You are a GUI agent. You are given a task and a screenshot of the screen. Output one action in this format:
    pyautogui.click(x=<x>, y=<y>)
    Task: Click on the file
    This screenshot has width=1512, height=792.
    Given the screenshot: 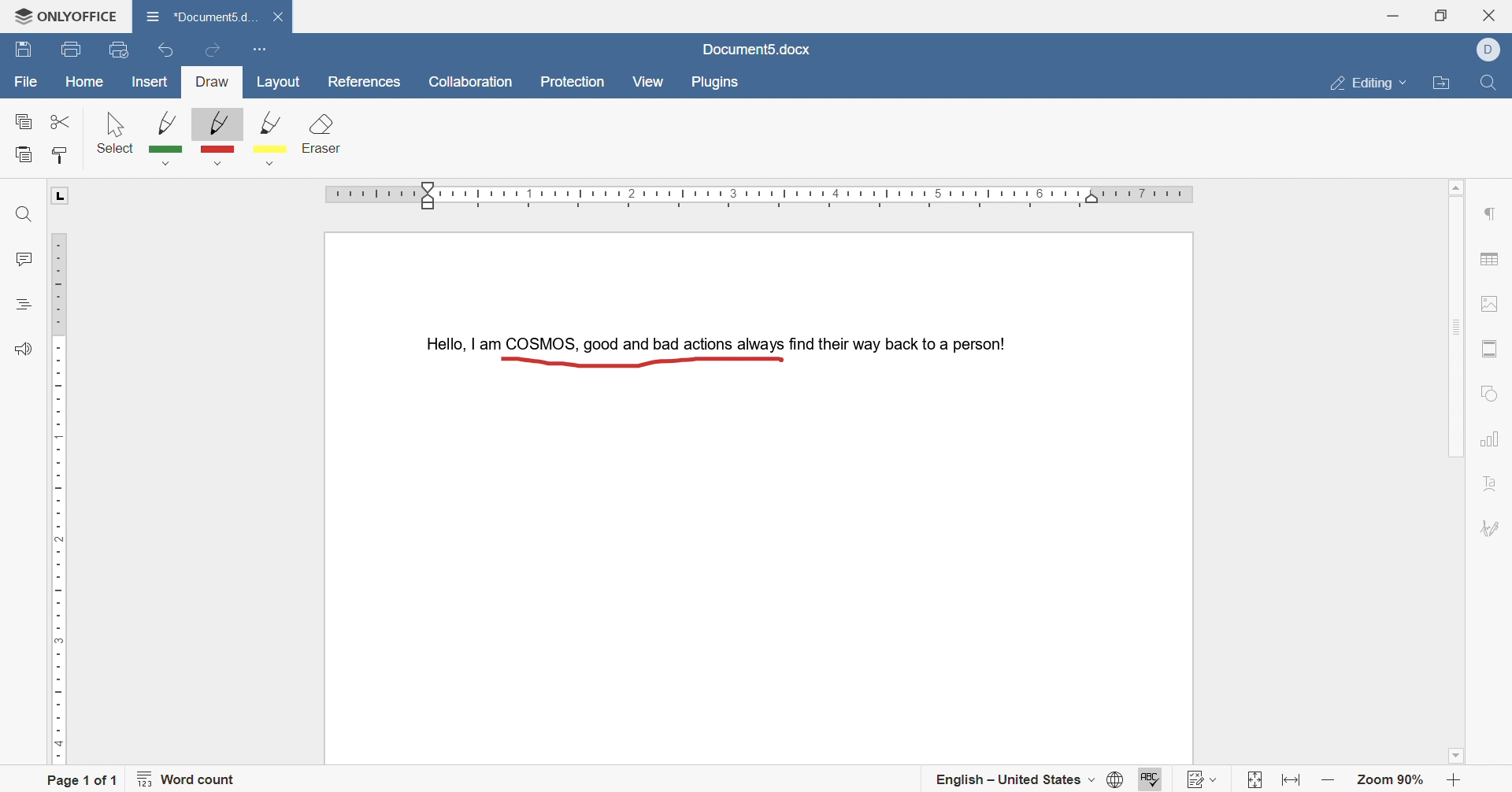 What is the action you would take?
    pyautogui.click(x=26, y=83)
    